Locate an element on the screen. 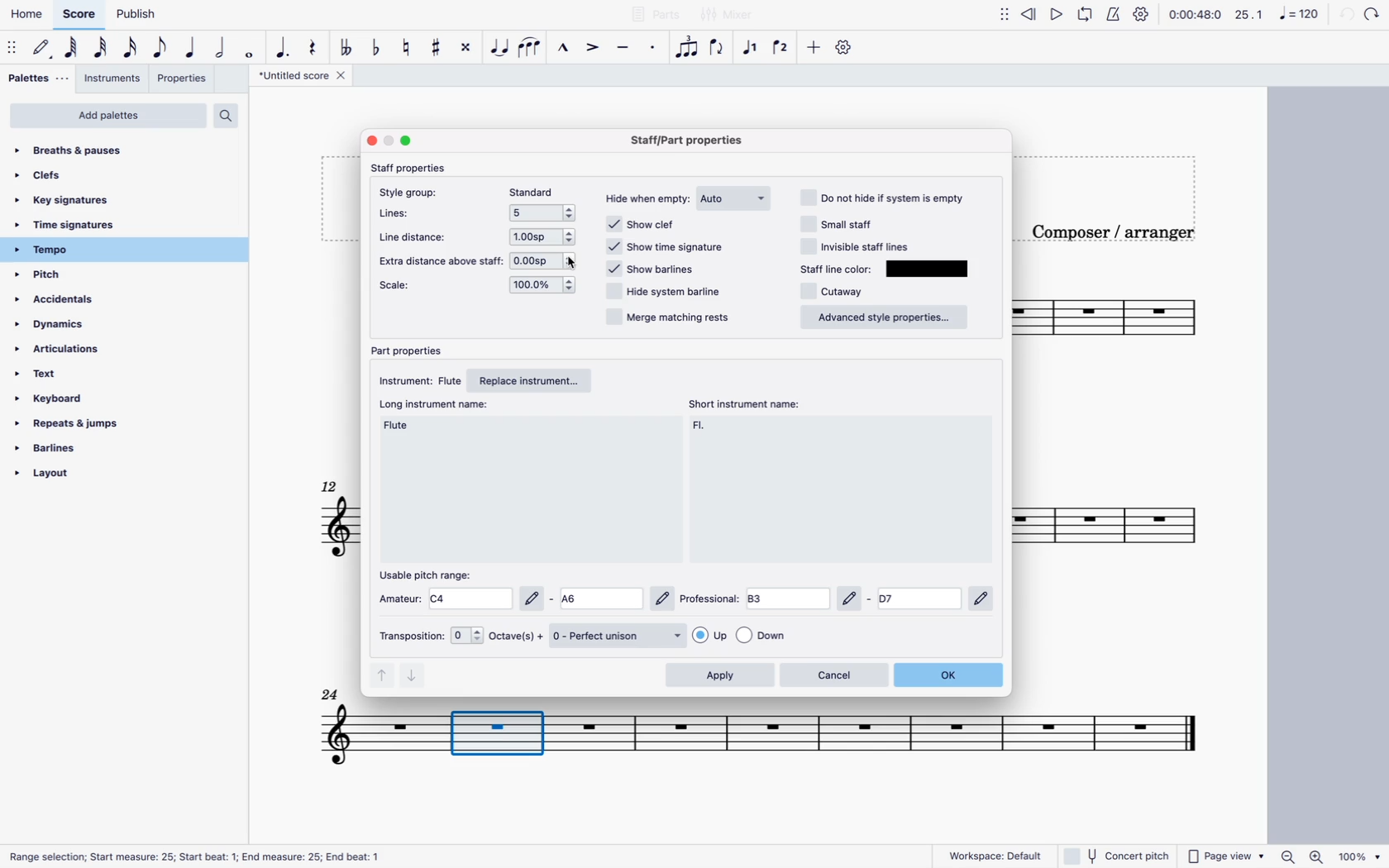 Image resolution: width=1389 pixels, height=868 pixels. time signatures is located at coordinates (74, 226).